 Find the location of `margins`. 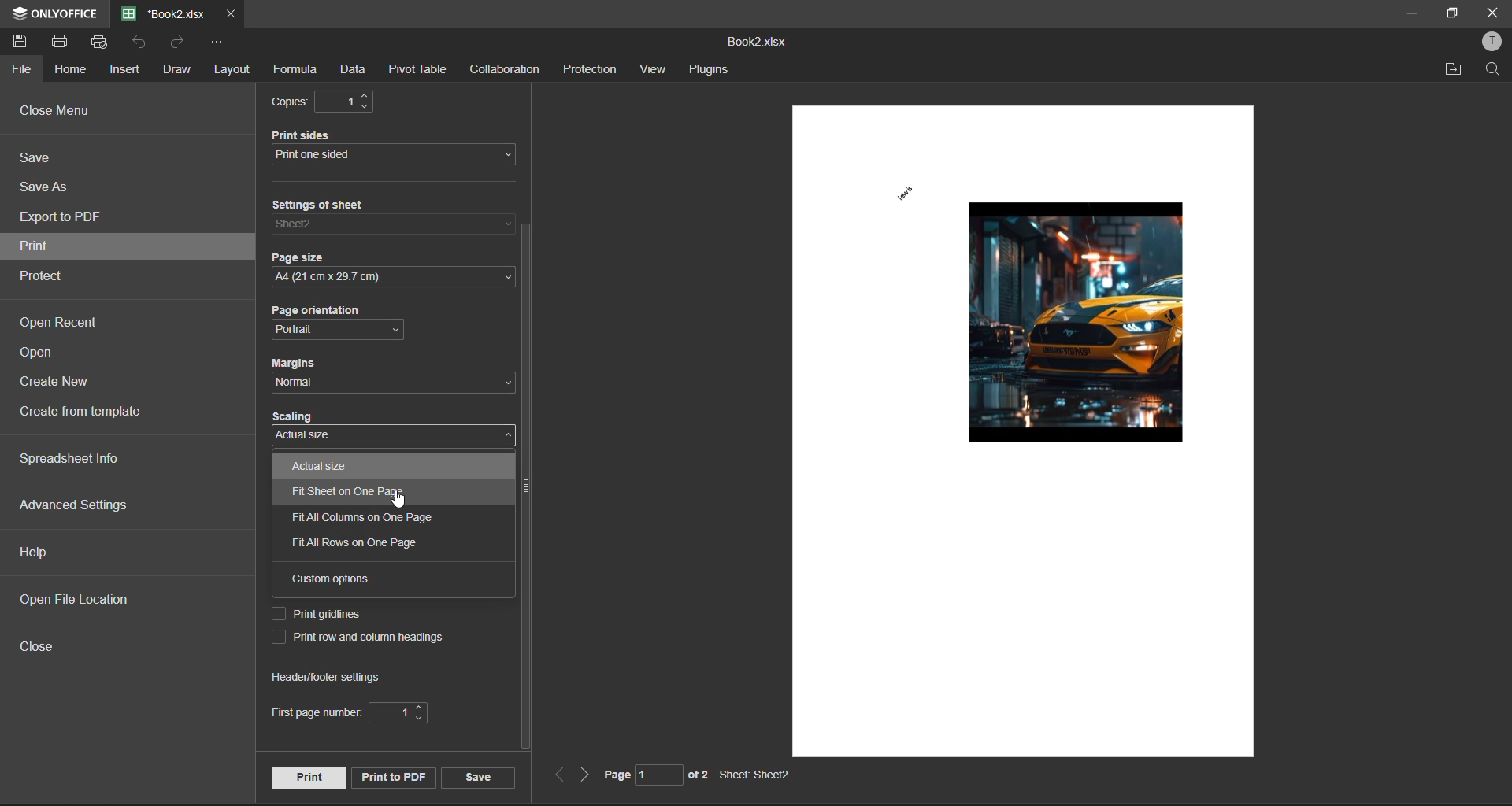

margins is located at coordinates (300, 364).